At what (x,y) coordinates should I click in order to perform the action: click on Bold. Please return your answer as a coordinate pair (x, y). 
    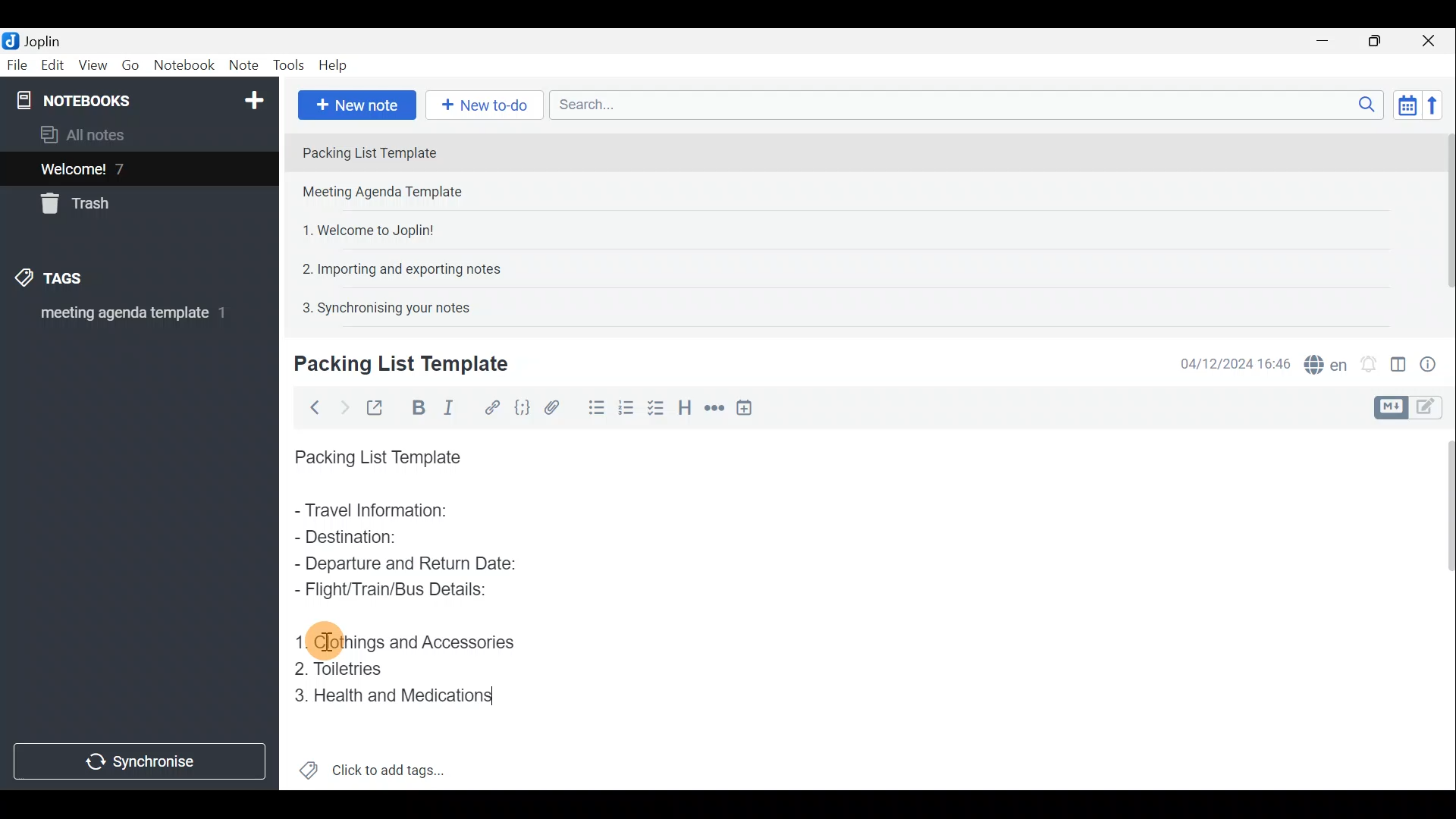
    Looking at the image, I should click on (416, 406).